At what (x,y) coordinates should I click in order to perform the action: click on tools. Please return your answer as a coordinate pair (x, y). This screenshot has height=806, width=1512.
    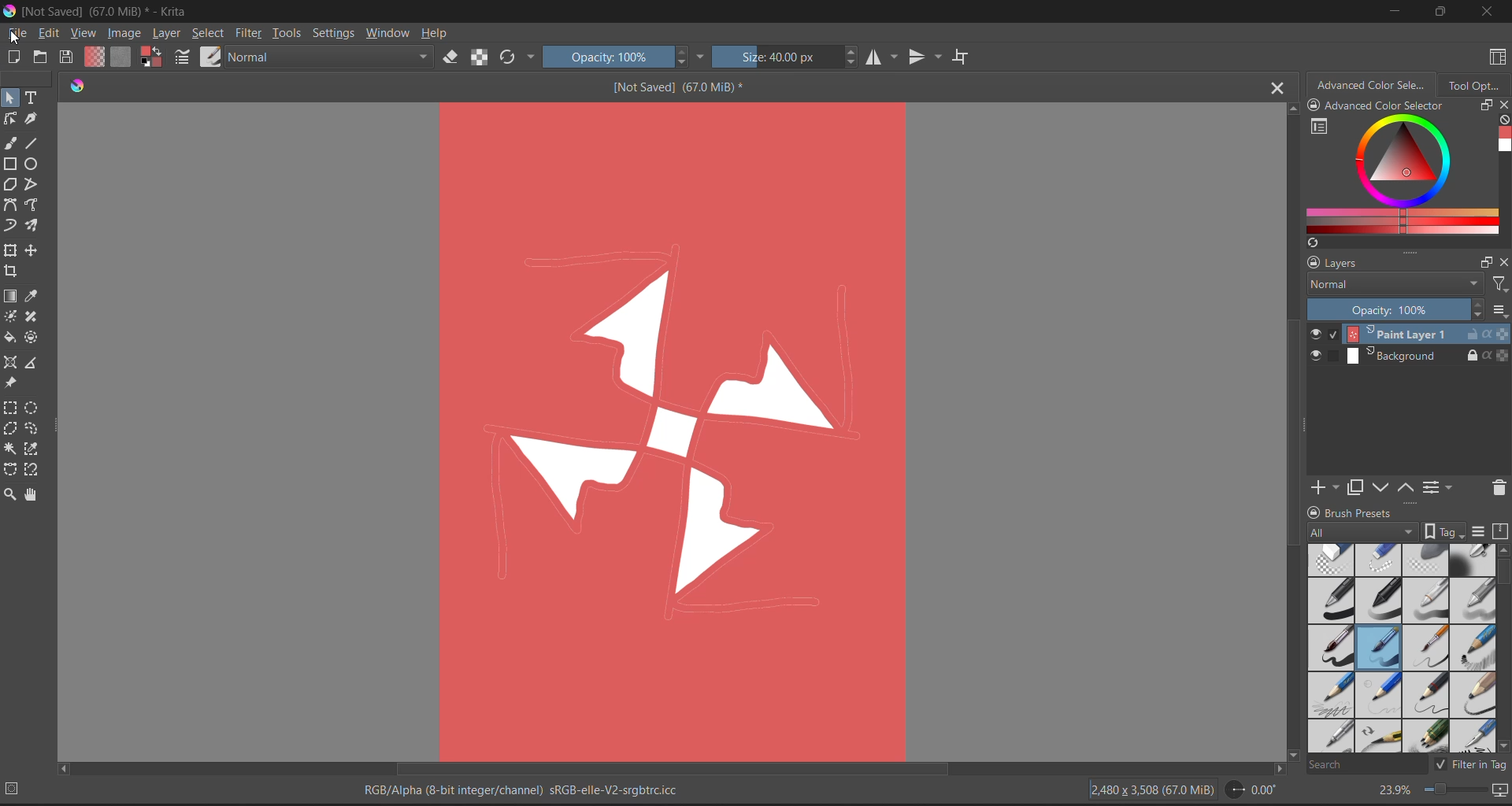
    Looking at the image, I should click on (33, 227).